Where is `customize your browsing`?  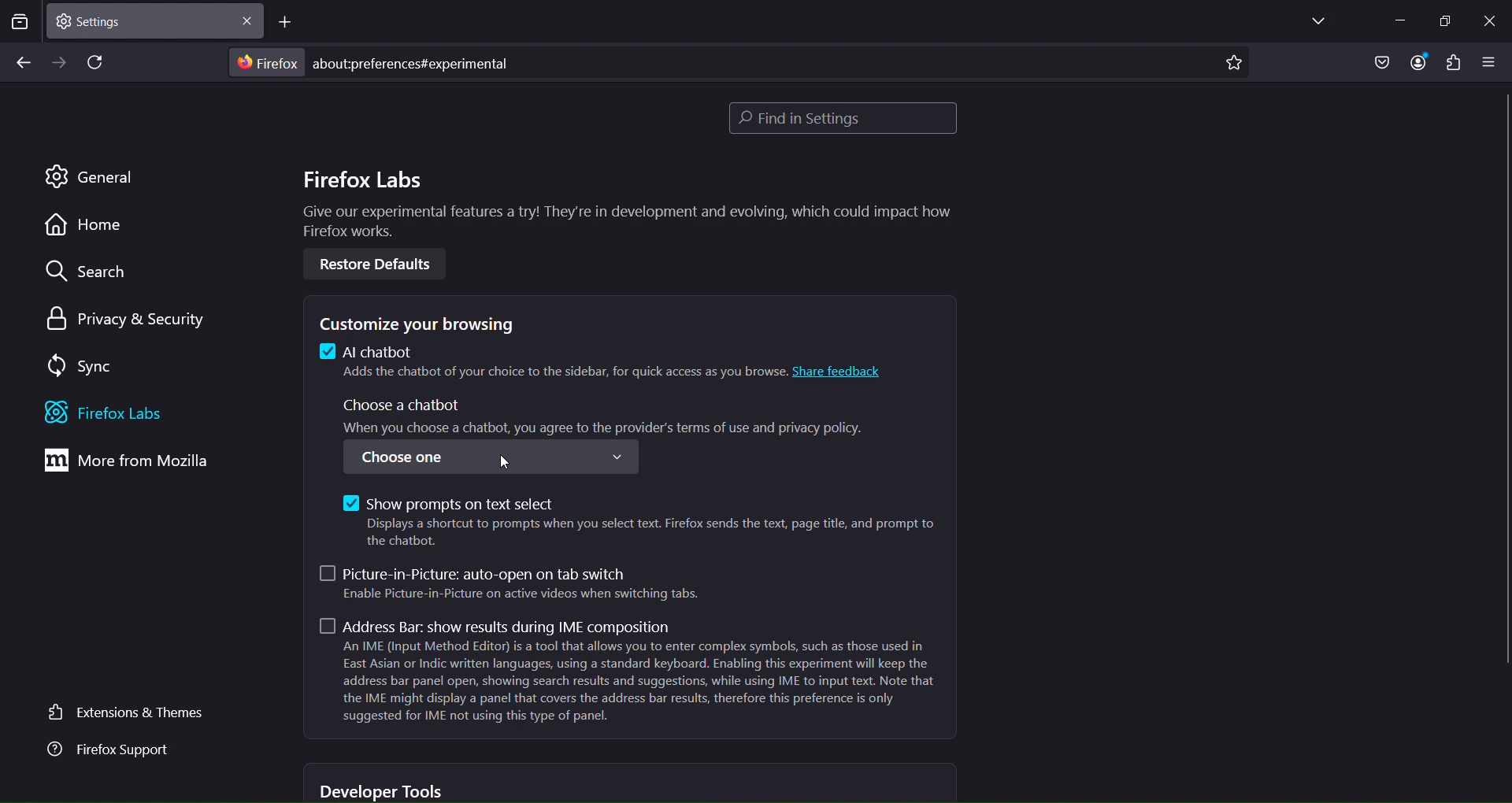
customize your browsing is located at coordinates (427, 324).